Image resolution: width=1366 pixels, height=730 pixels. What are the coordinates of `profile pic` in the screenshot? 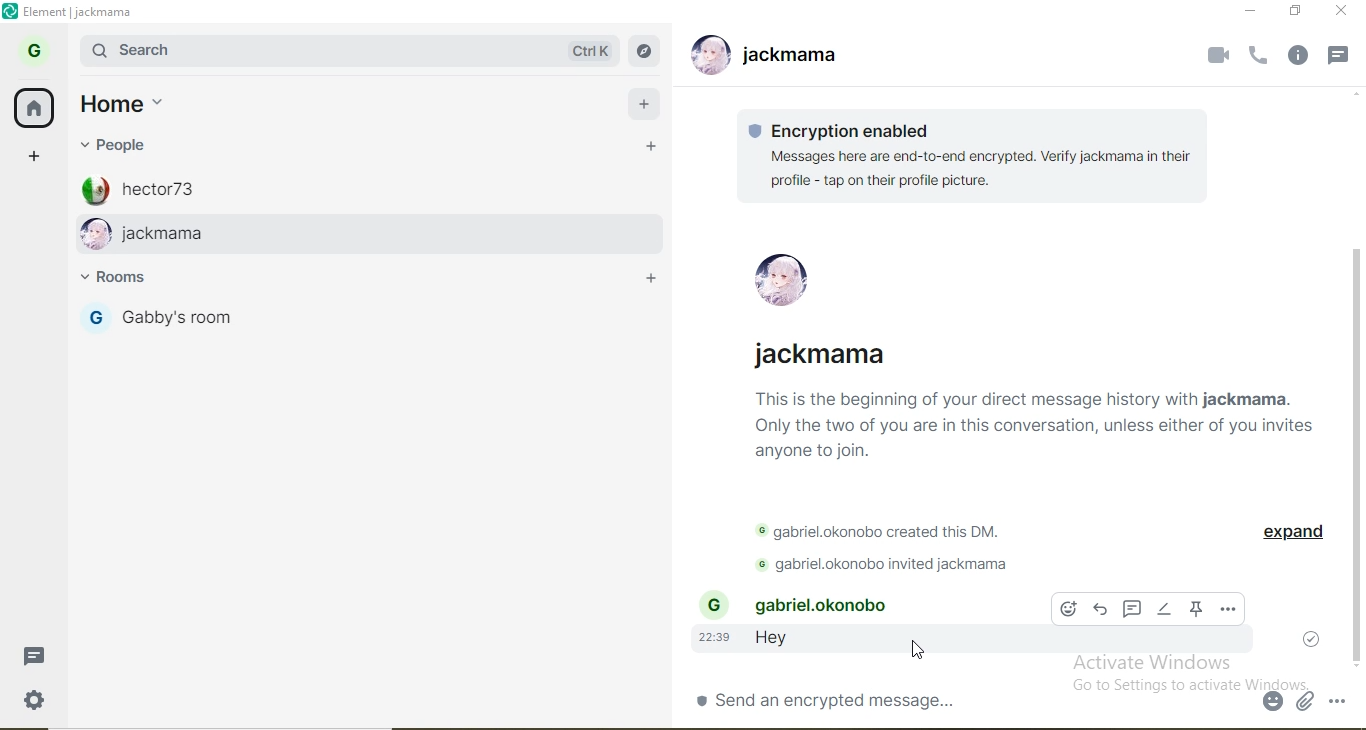 It's located at (781, 282).